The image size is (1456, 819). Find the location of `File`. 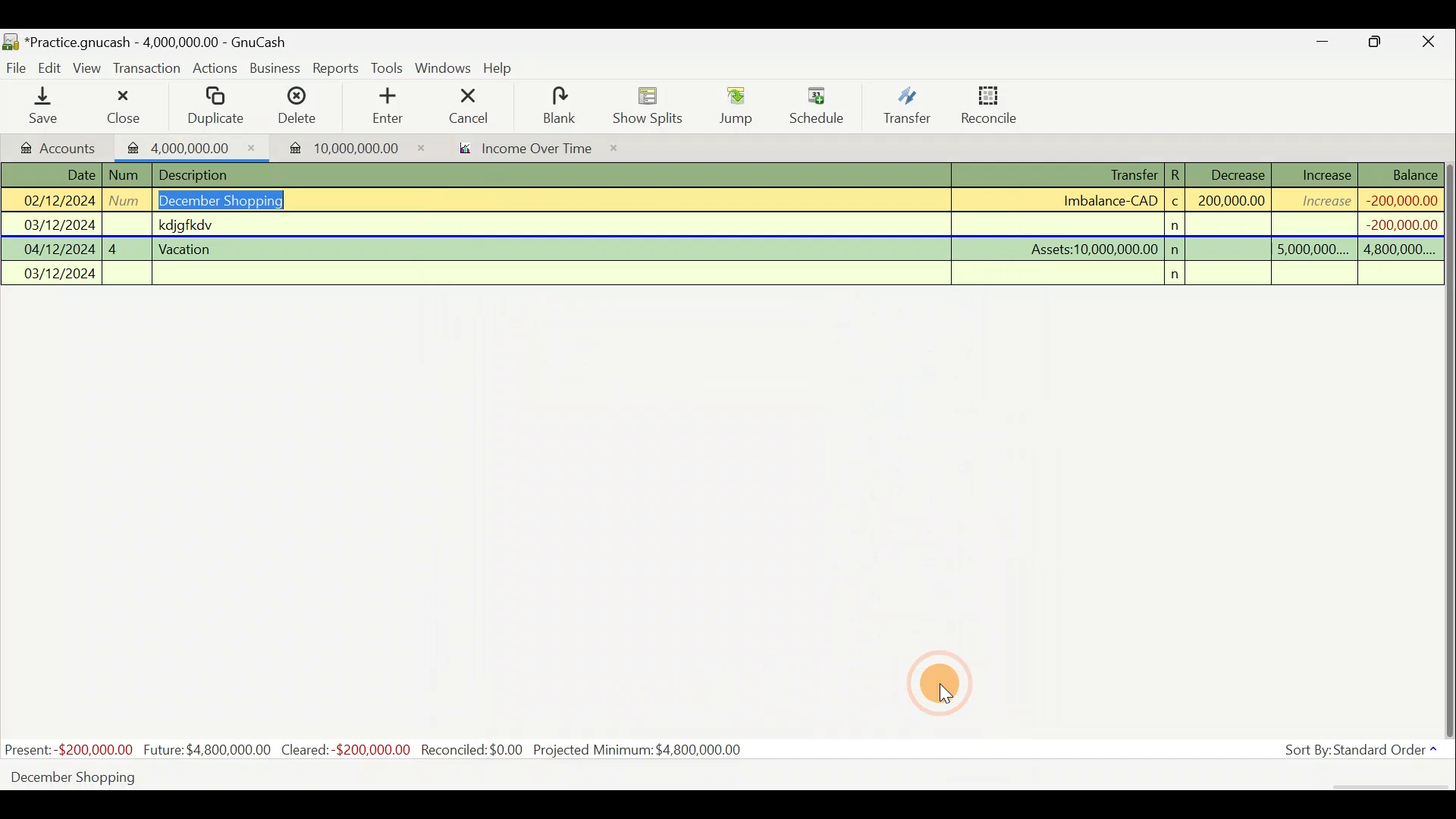

File is located at coordinates (17, 68).